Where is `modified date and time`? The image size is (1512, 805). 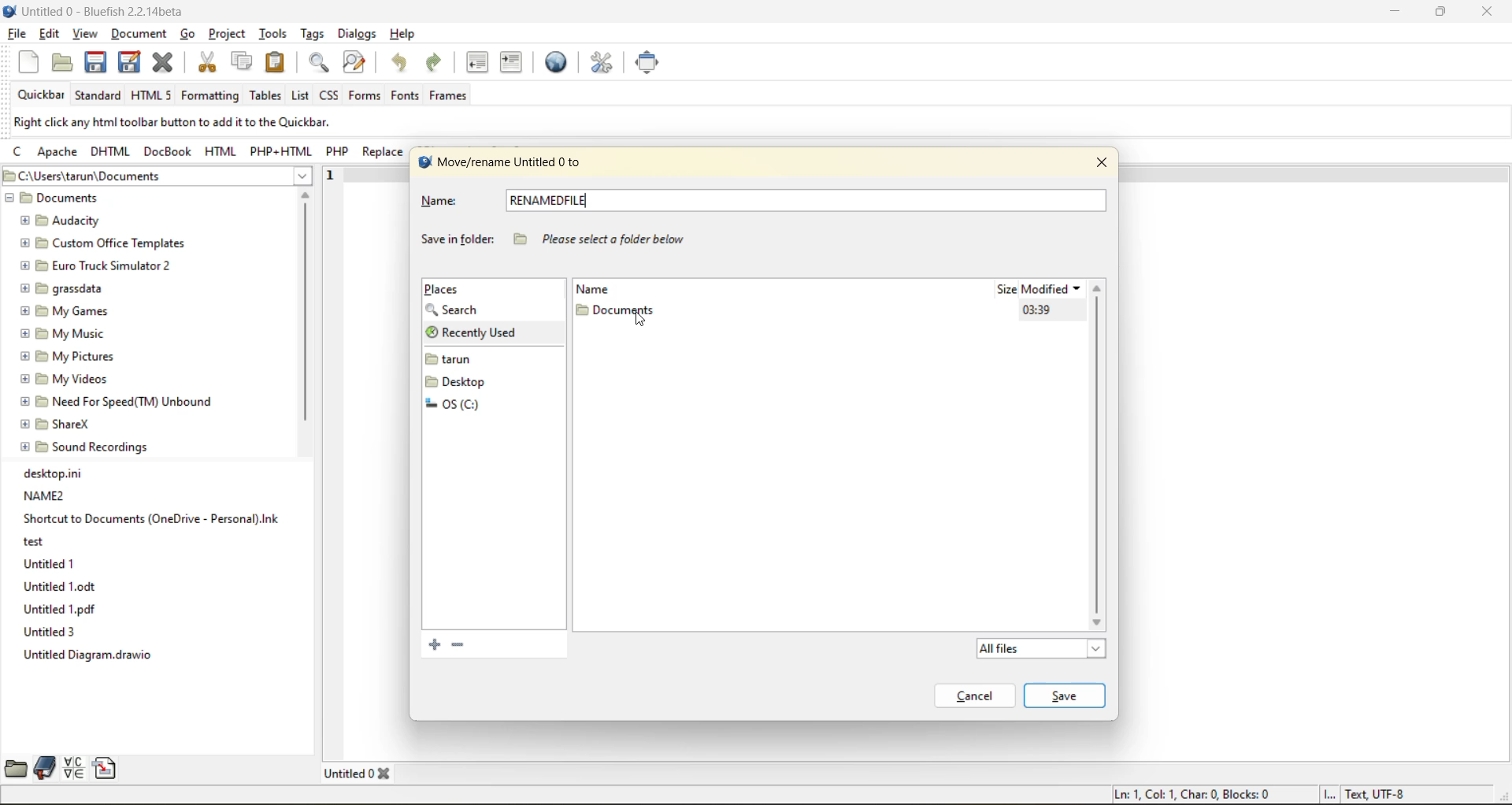
modified date and time is located at coordinates (1036, 310).